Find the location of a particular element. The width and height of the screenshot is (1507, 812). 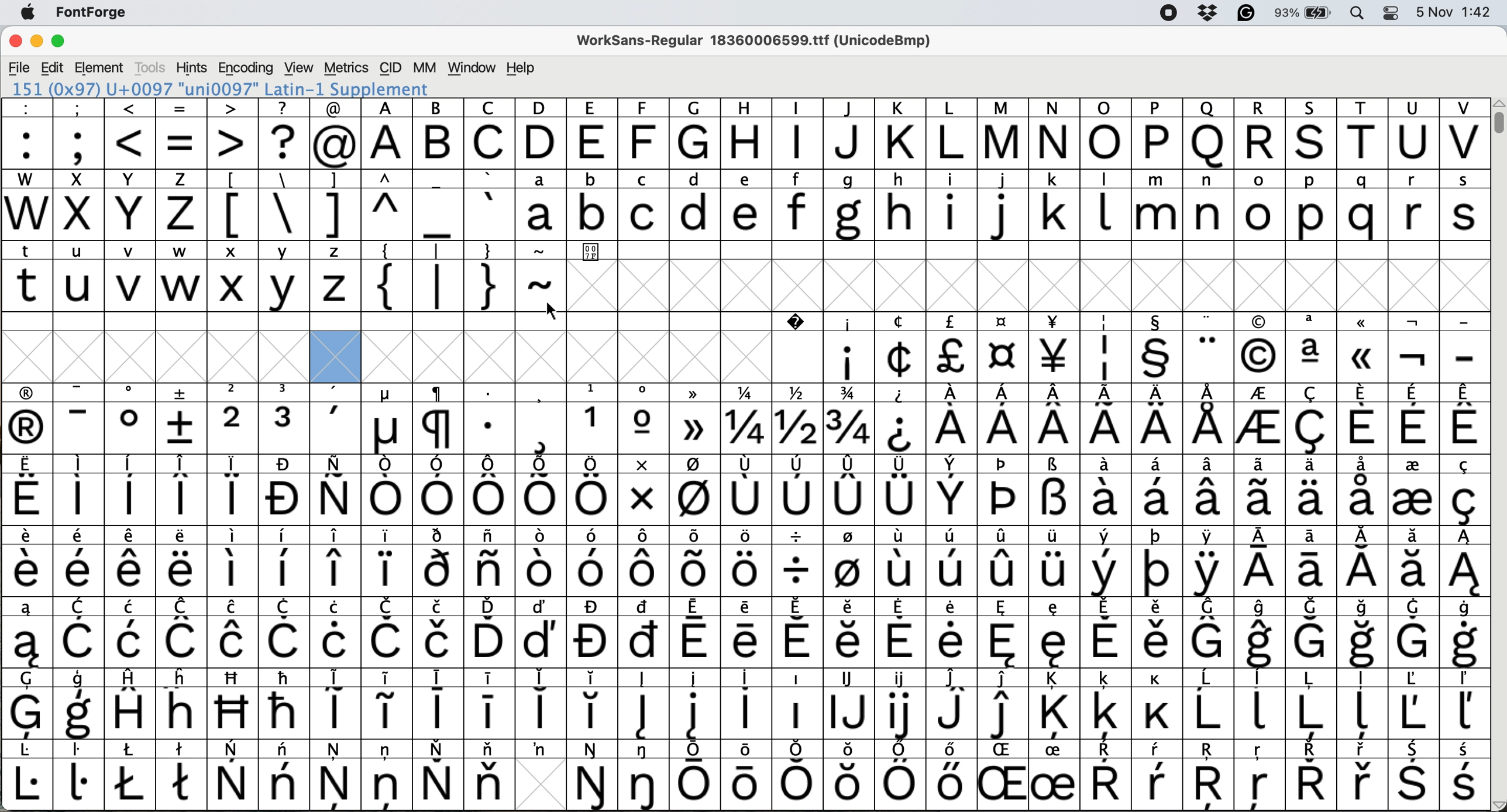

file is located at coordinates (20, 68).